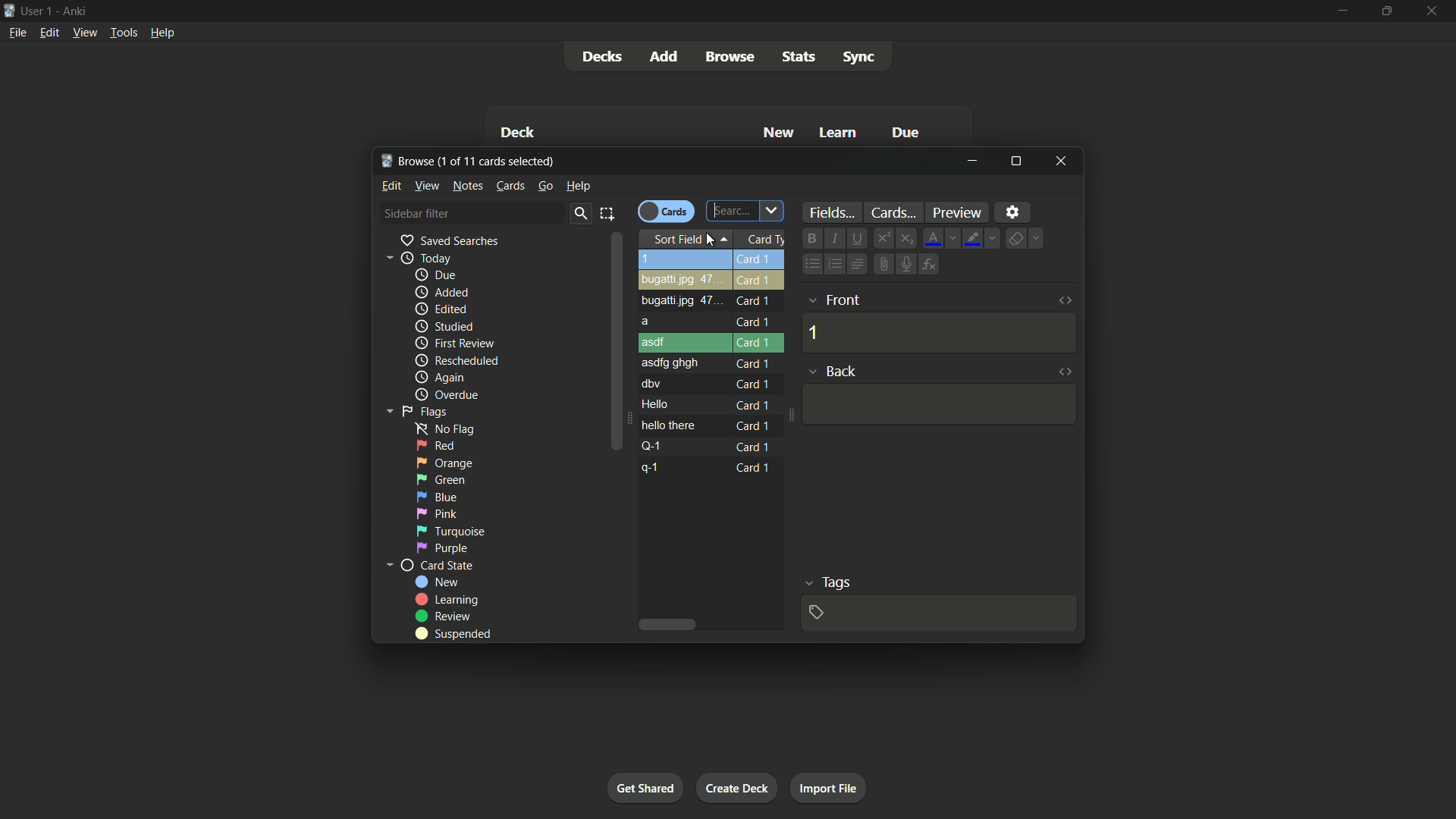 This screenshot has height=819, width=1456. I want to click on browse, so click(471, 161).